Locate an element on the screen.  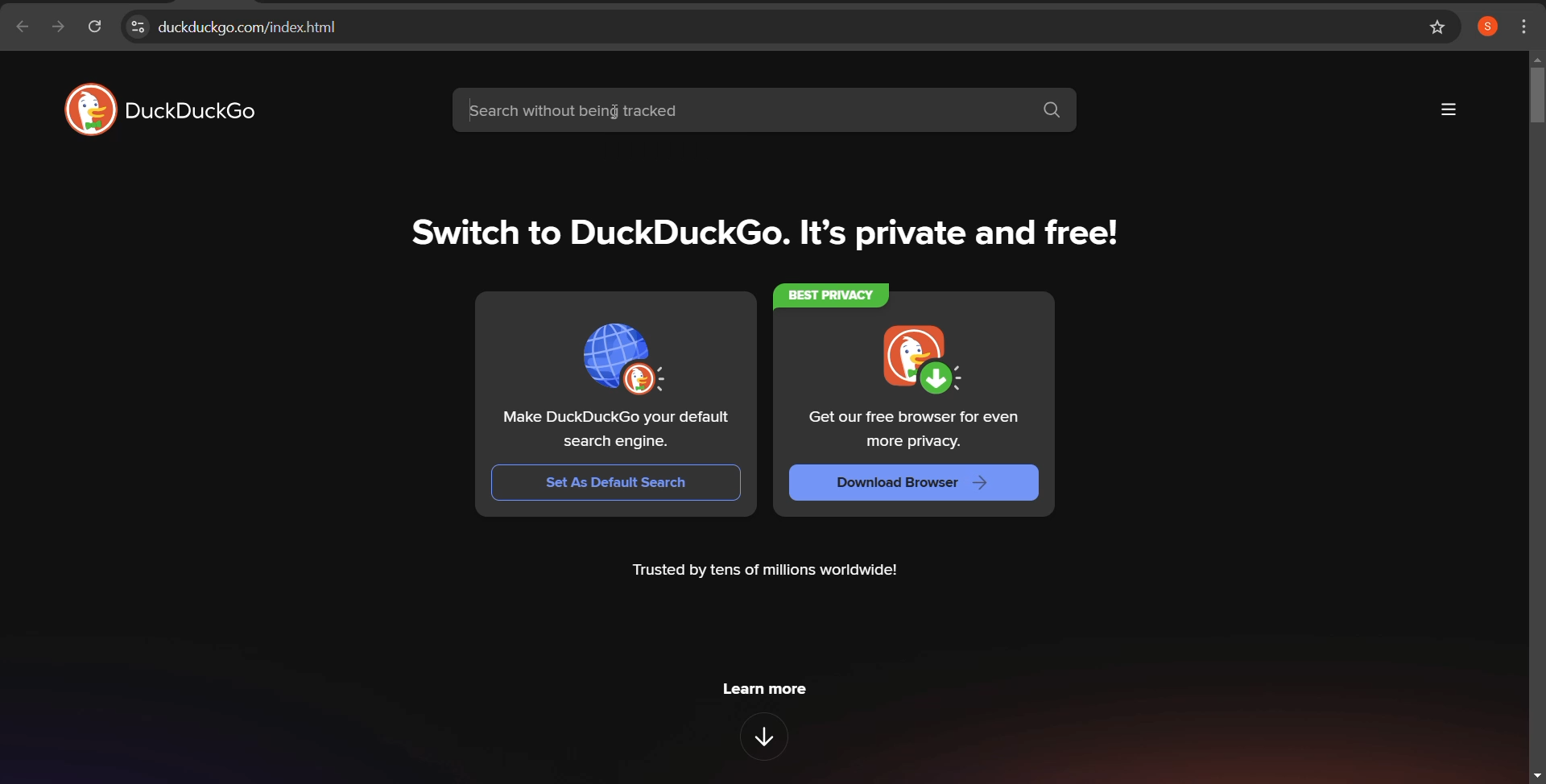
search bar is located at coordinates (766, 109).